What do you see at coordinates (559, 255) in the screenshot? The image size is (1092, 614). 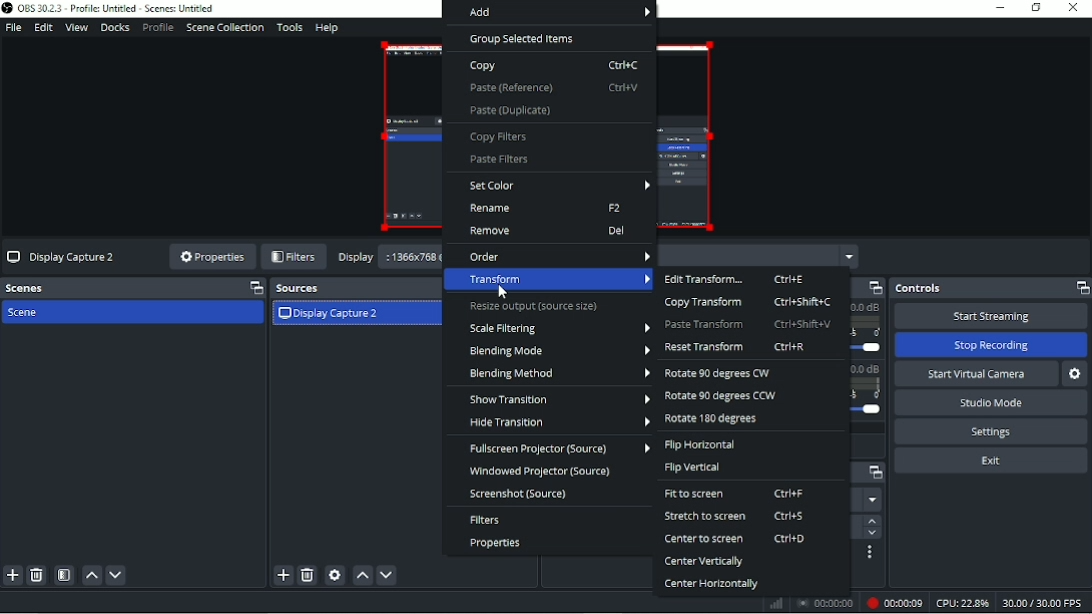 I see `Order` at bounding box center [559, 255].